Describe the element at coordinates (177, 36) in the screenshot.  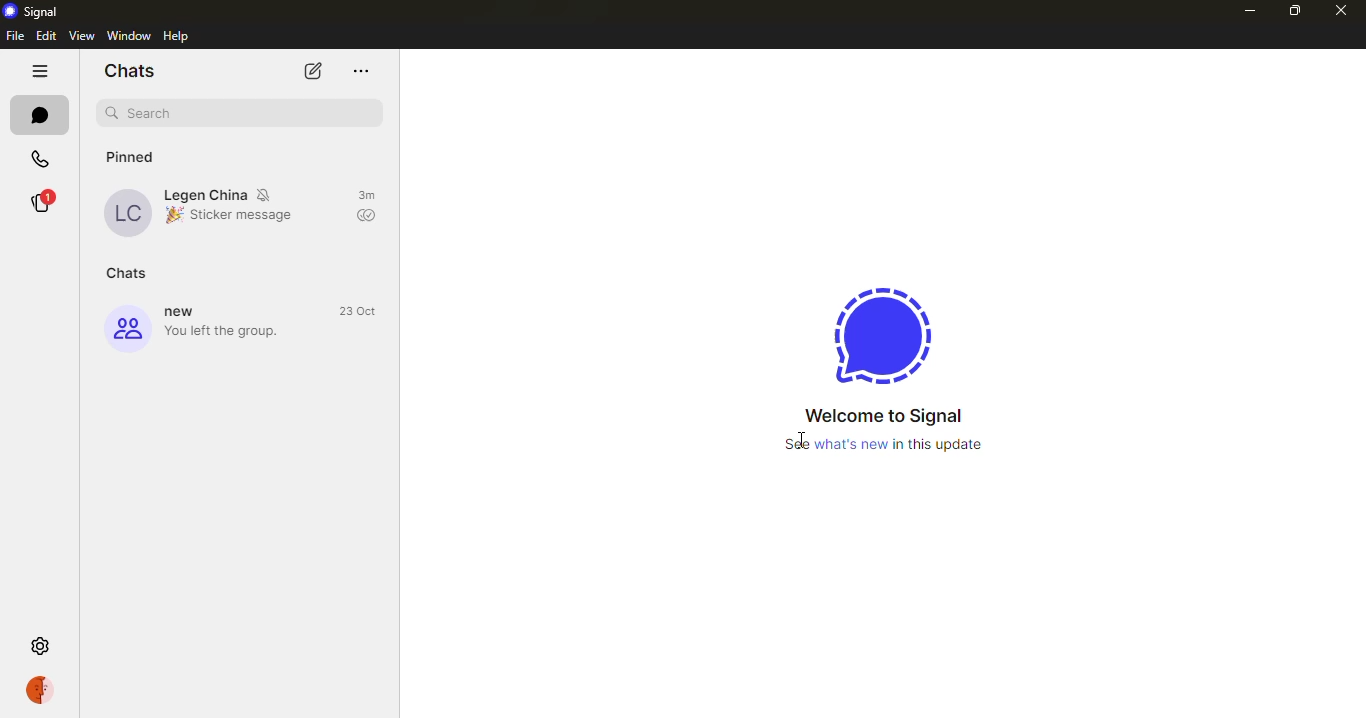
I see `help` at that location.